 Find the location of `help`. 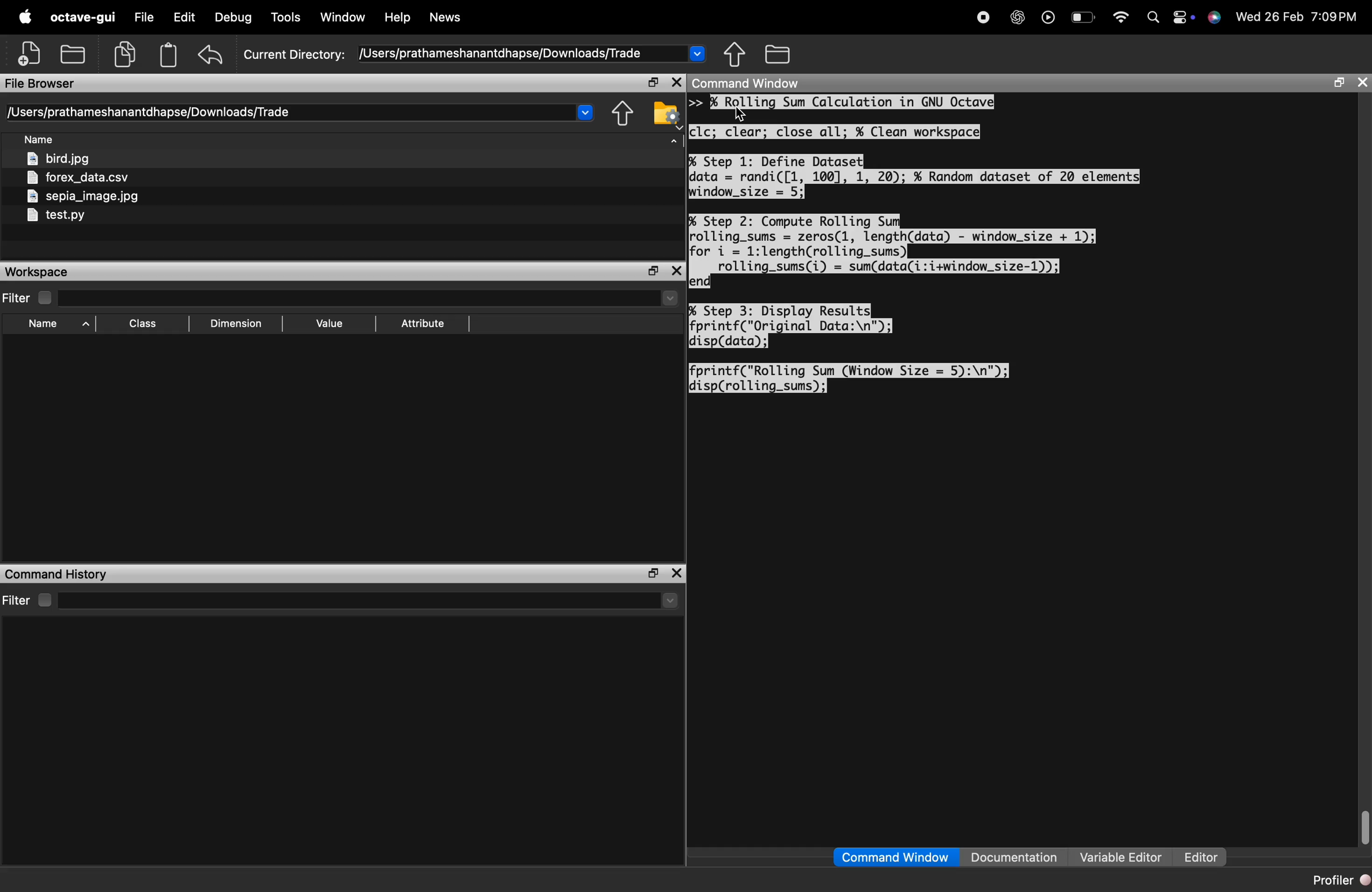

help is located at coordinates (398, 18).